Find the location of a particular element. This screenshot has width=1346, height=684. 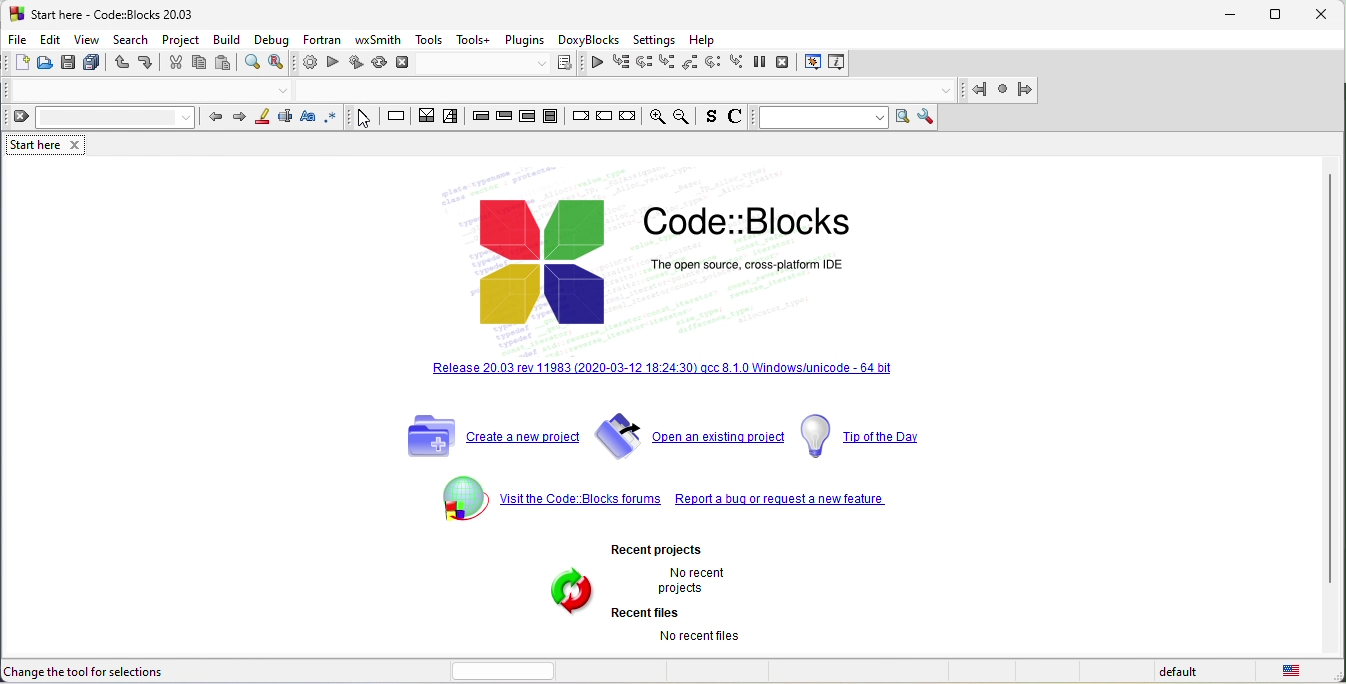

match case is located at coordinates (308, 117).